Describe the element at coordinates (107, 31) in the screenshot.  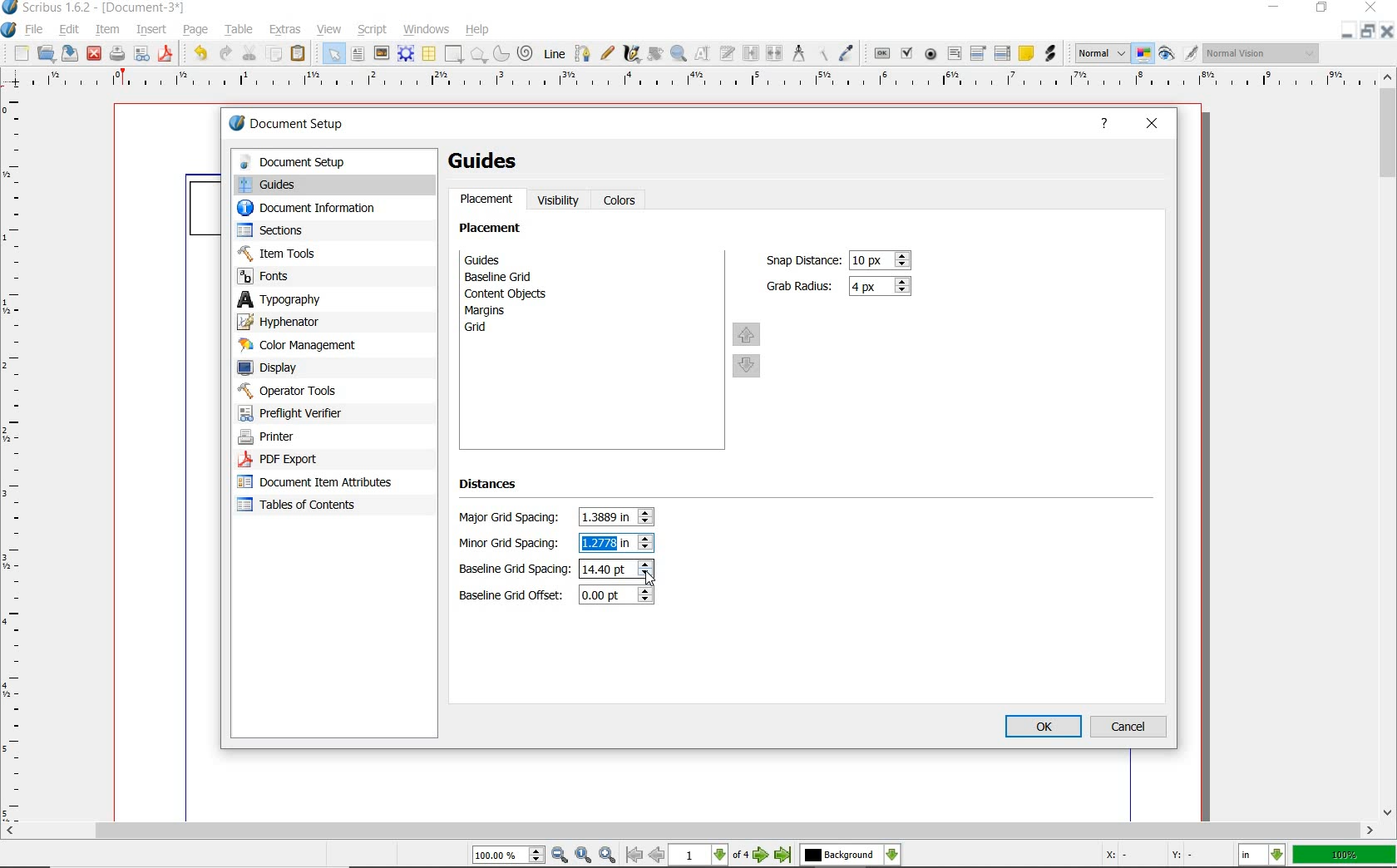
I see `item` at that location.